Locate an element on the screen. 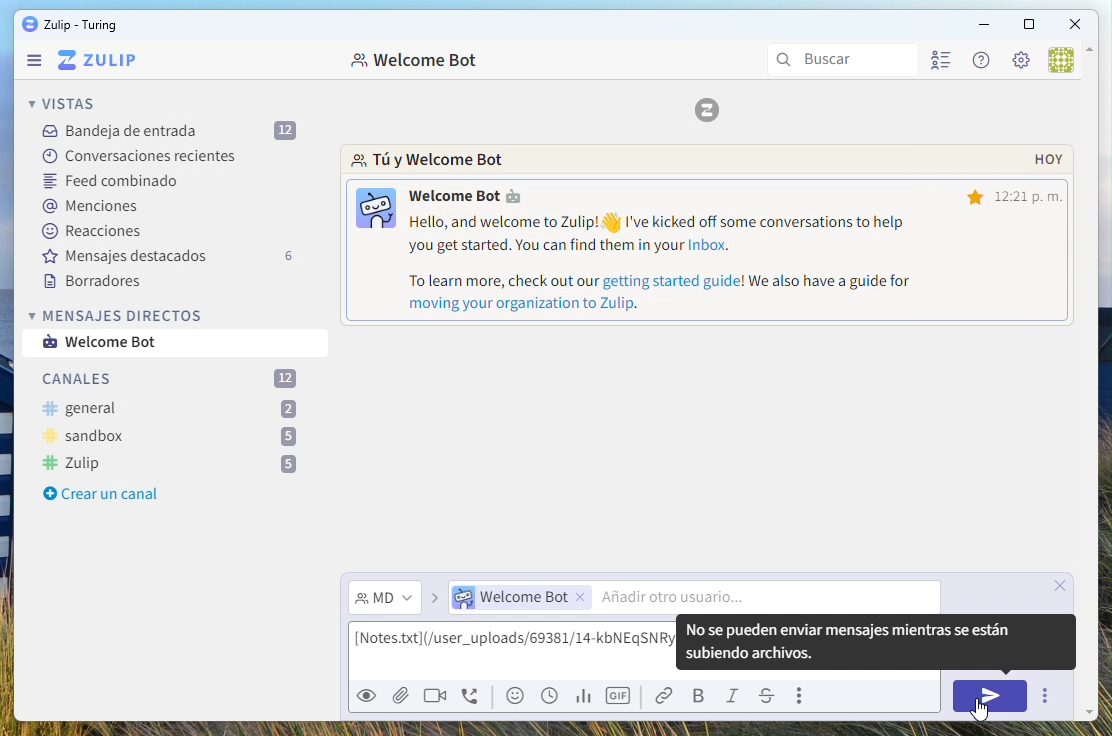 The width and height of the screenshot is (1112, 736). Menu is located at coordinates (35, 62).